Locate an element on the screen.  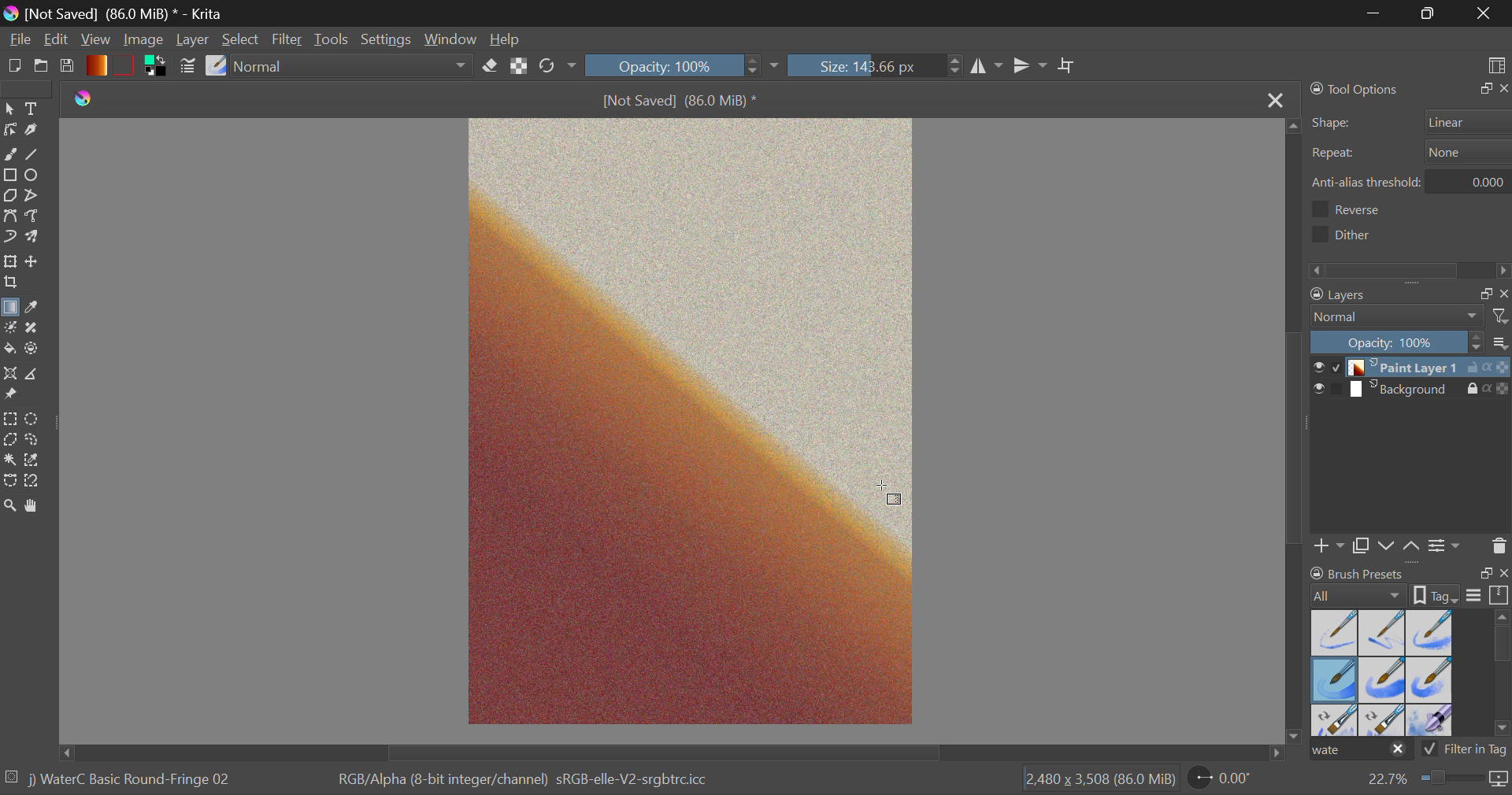
move left is located at coordinates (65, 751).